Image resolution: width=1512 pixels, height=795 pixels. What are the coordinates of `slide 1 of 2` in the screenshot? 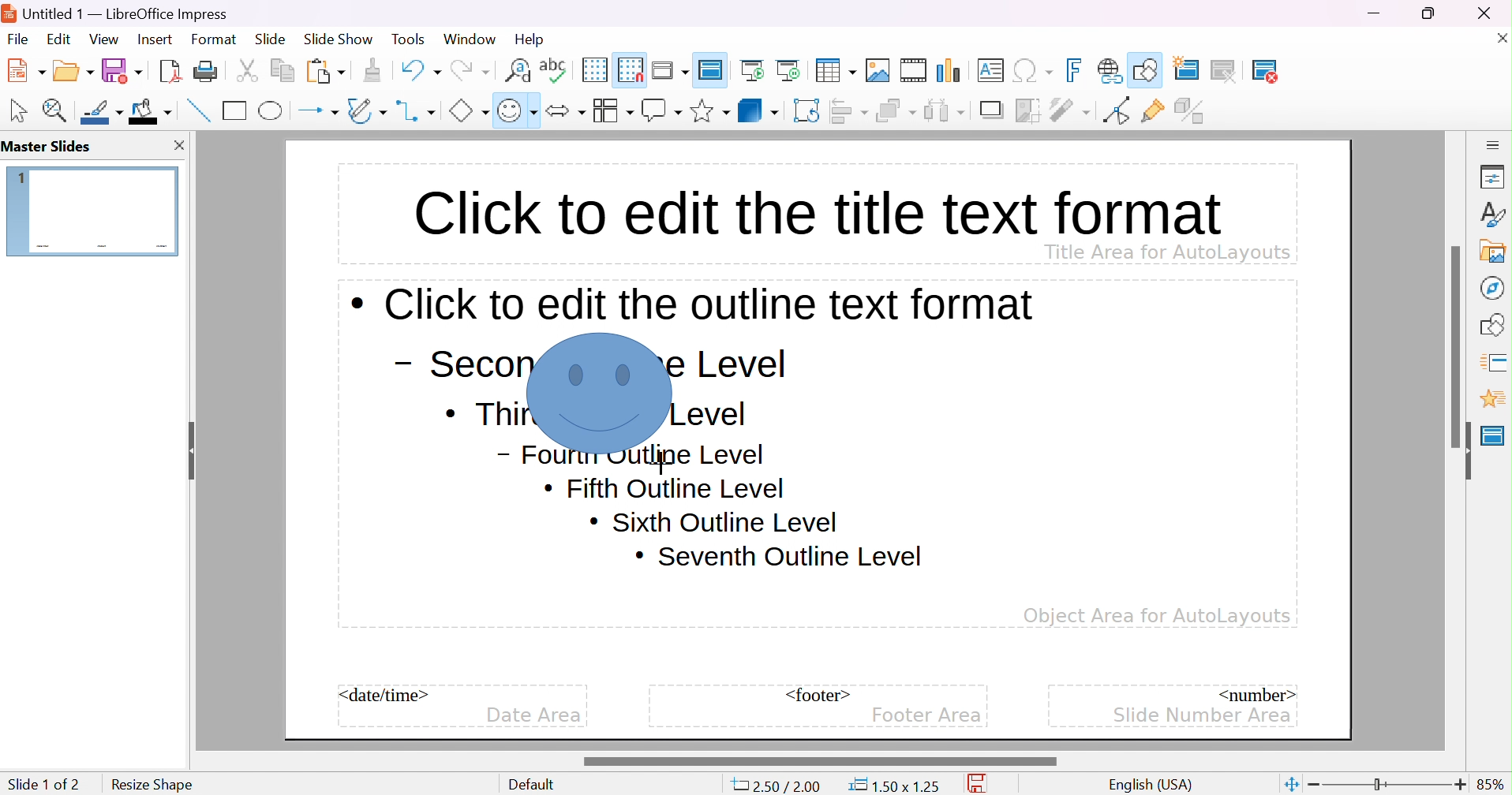 It's located at (43, 784).